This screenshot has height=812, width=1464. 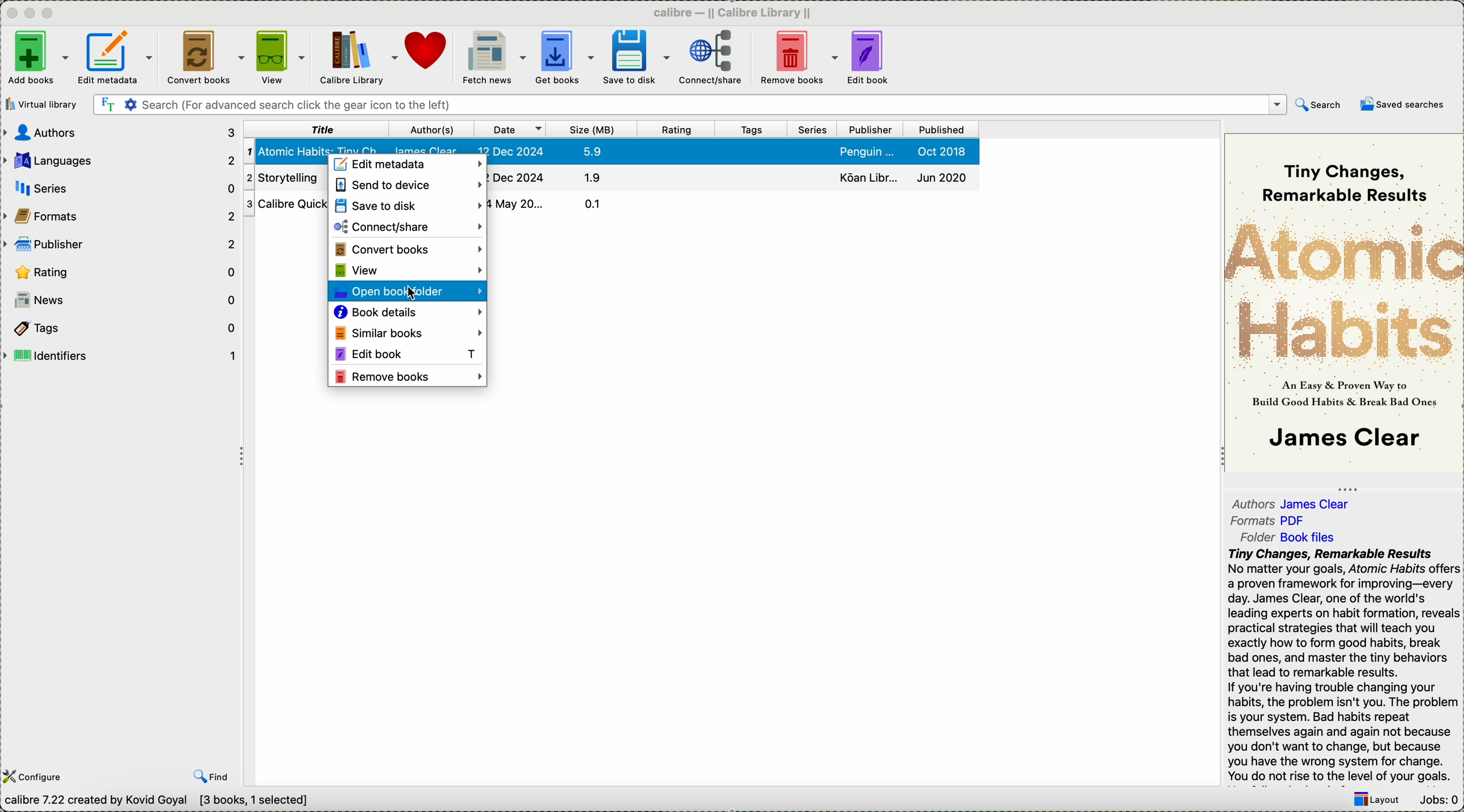 I want to click on similar books, so click(x=406, y=332).